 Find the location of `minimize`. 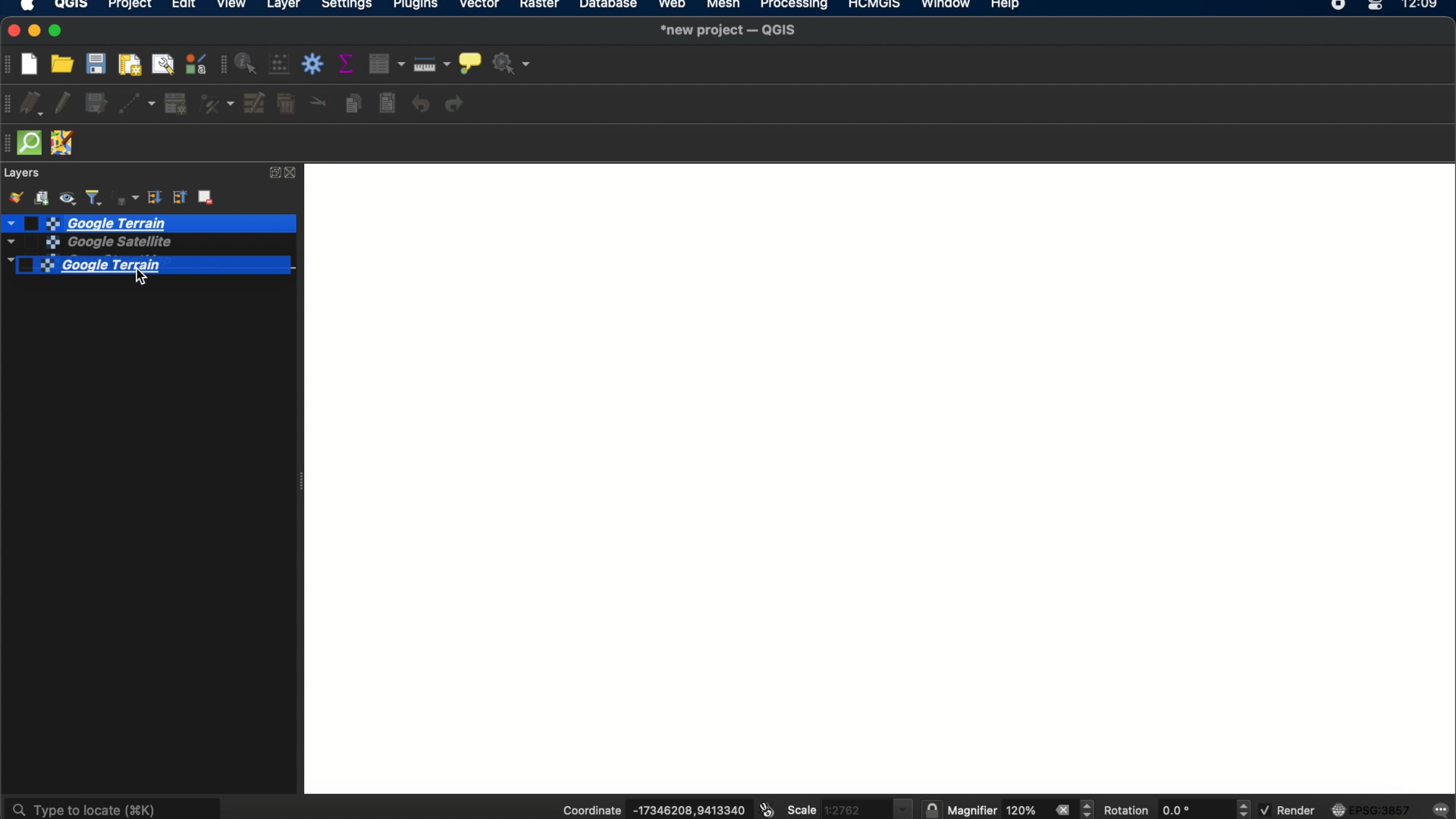

minimize is located at coordinates (36, 31).